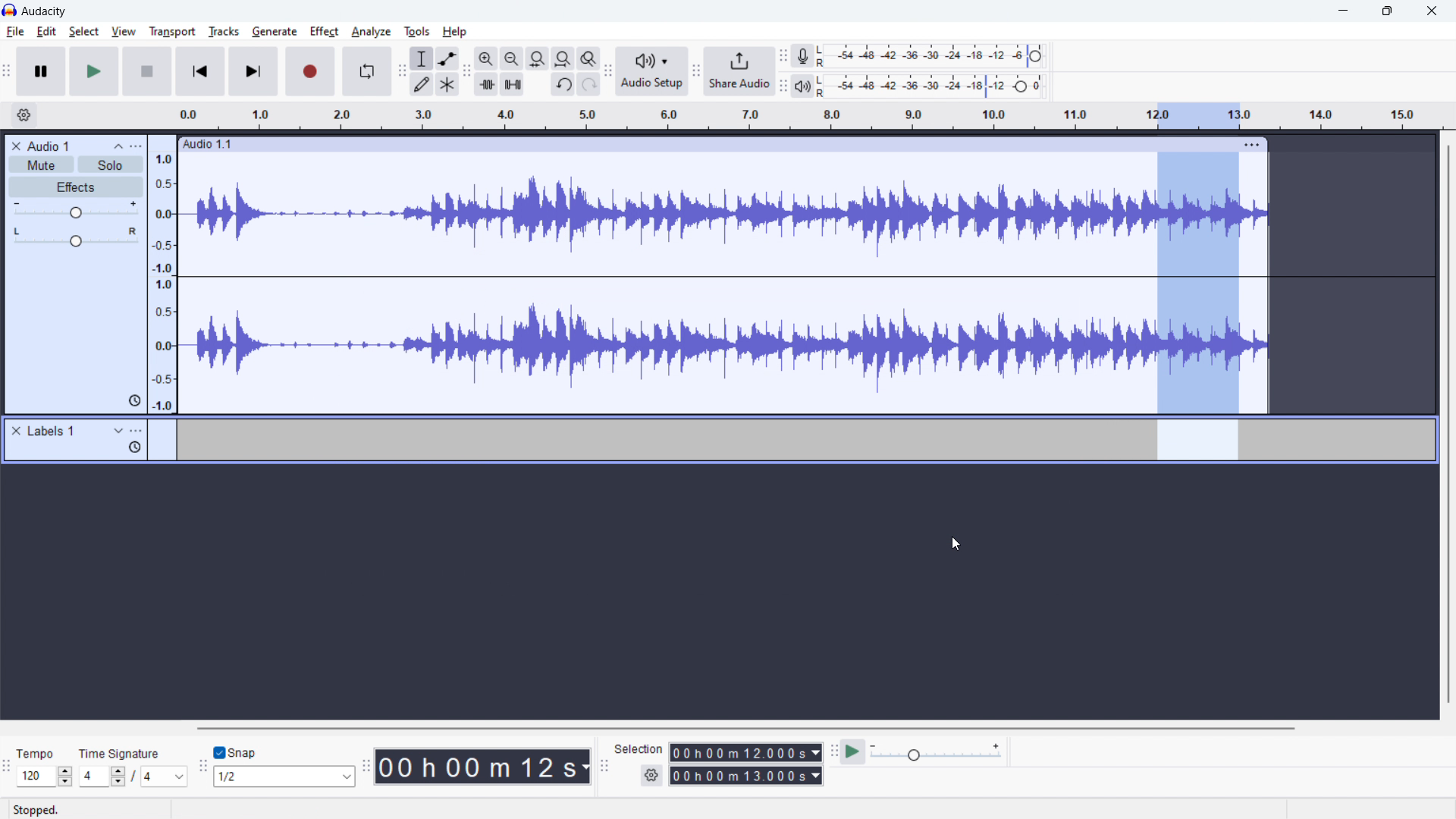 The image size is (1456, 819). I want to click on analyze, so click(369, 33).